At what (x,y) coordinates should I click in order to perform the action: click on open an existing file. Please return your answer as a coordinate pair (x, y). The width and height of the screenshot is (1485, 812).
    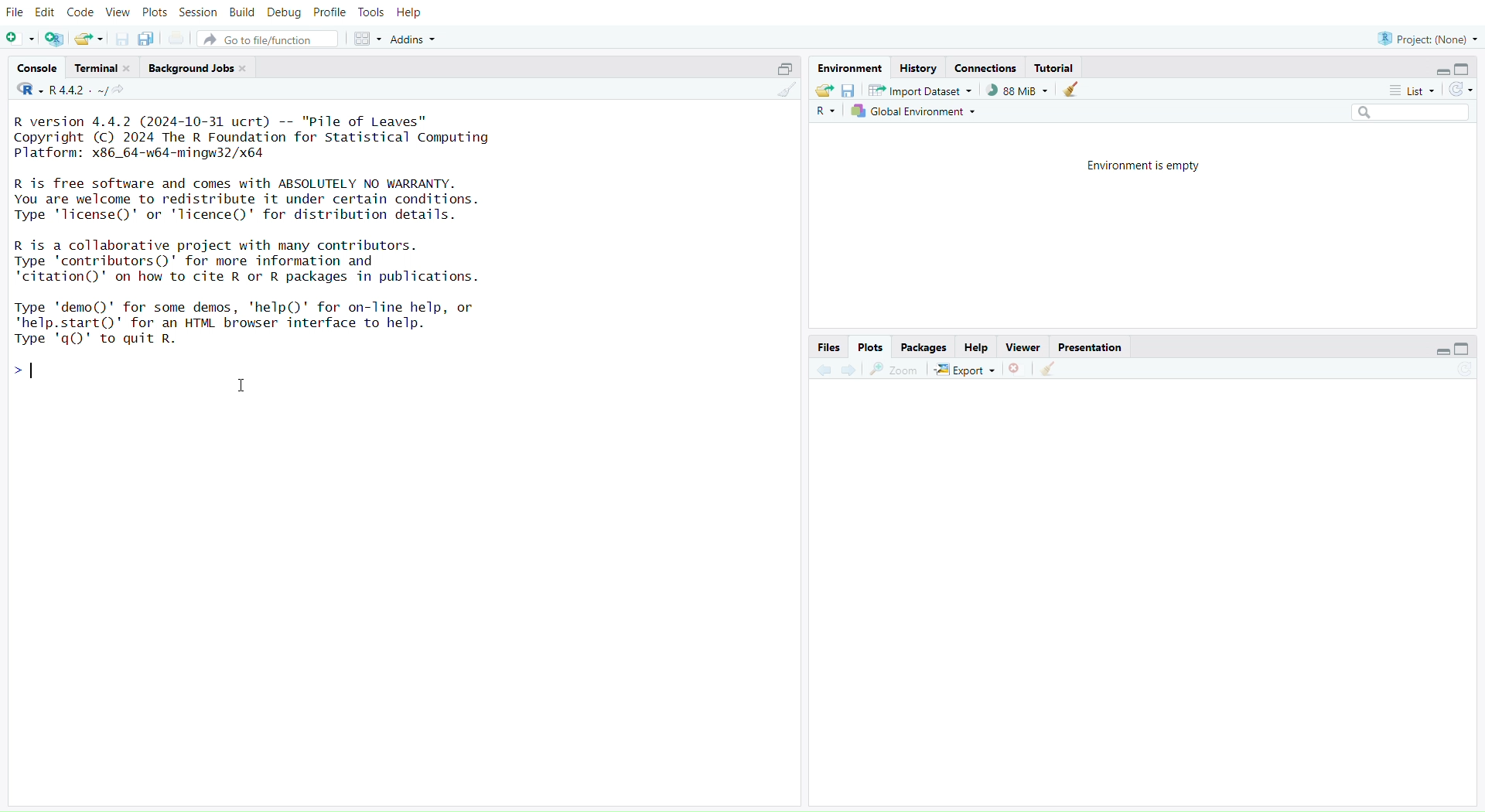
    Looking at the image, I should click on (89, 39).